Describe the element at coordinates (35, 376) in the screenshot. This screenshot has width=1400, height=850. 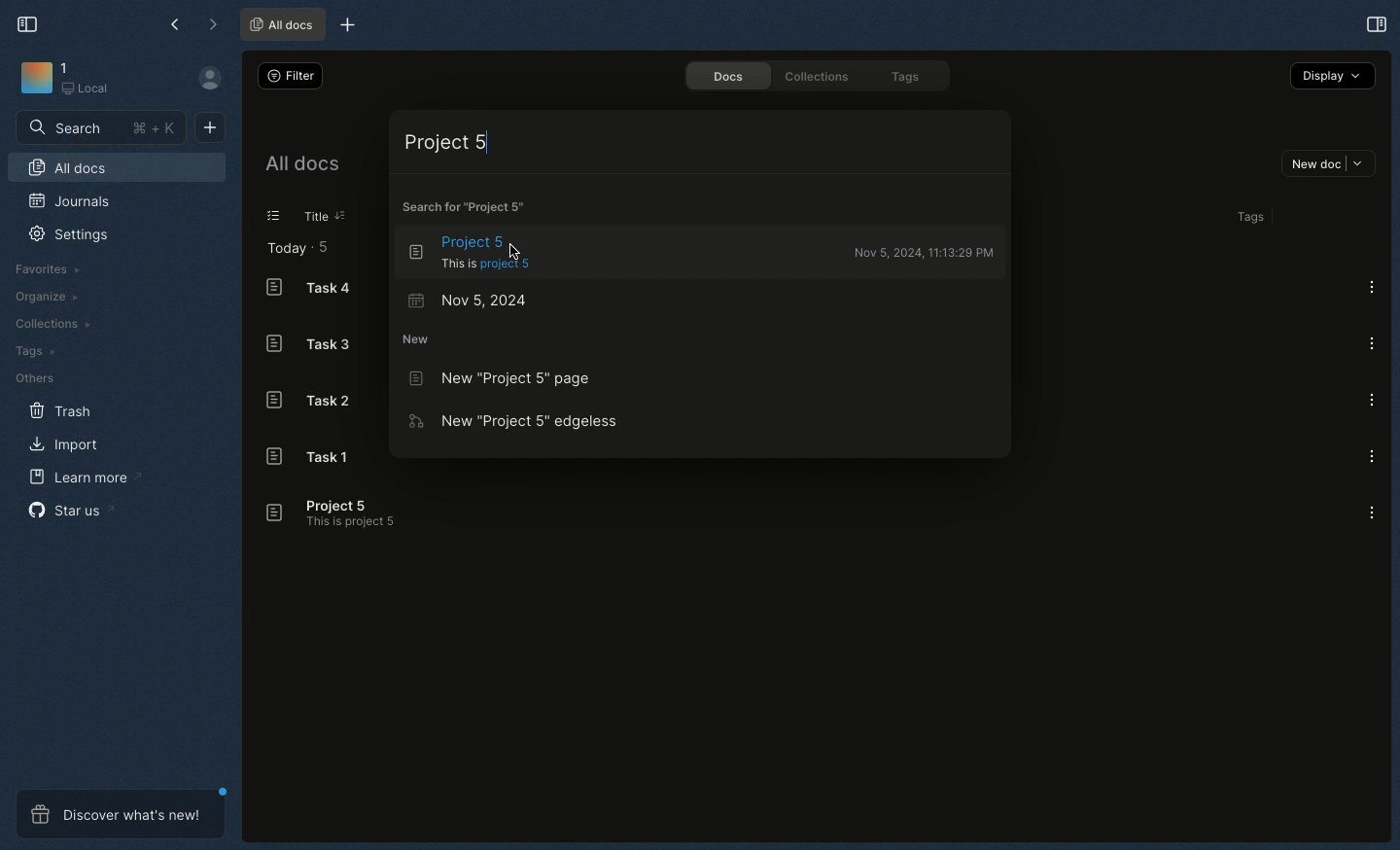
I see `Others` at that location.